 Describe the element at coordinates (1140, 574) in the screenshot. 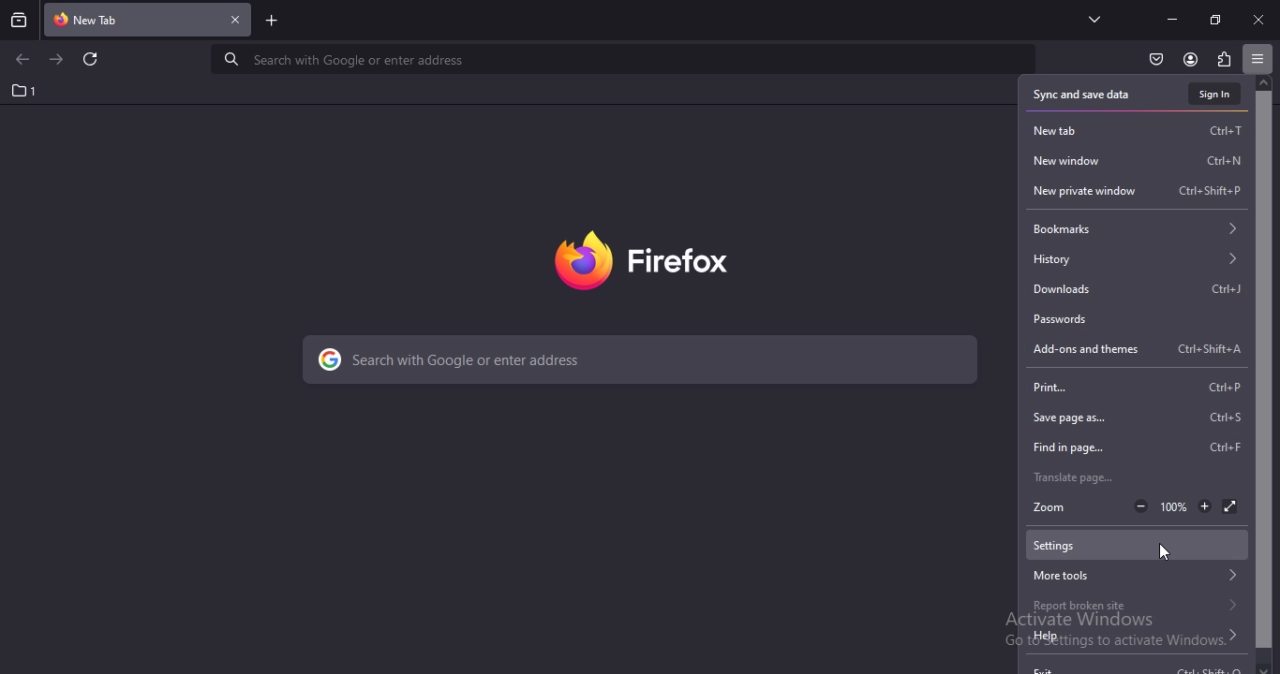

I see `more tools` at that location.